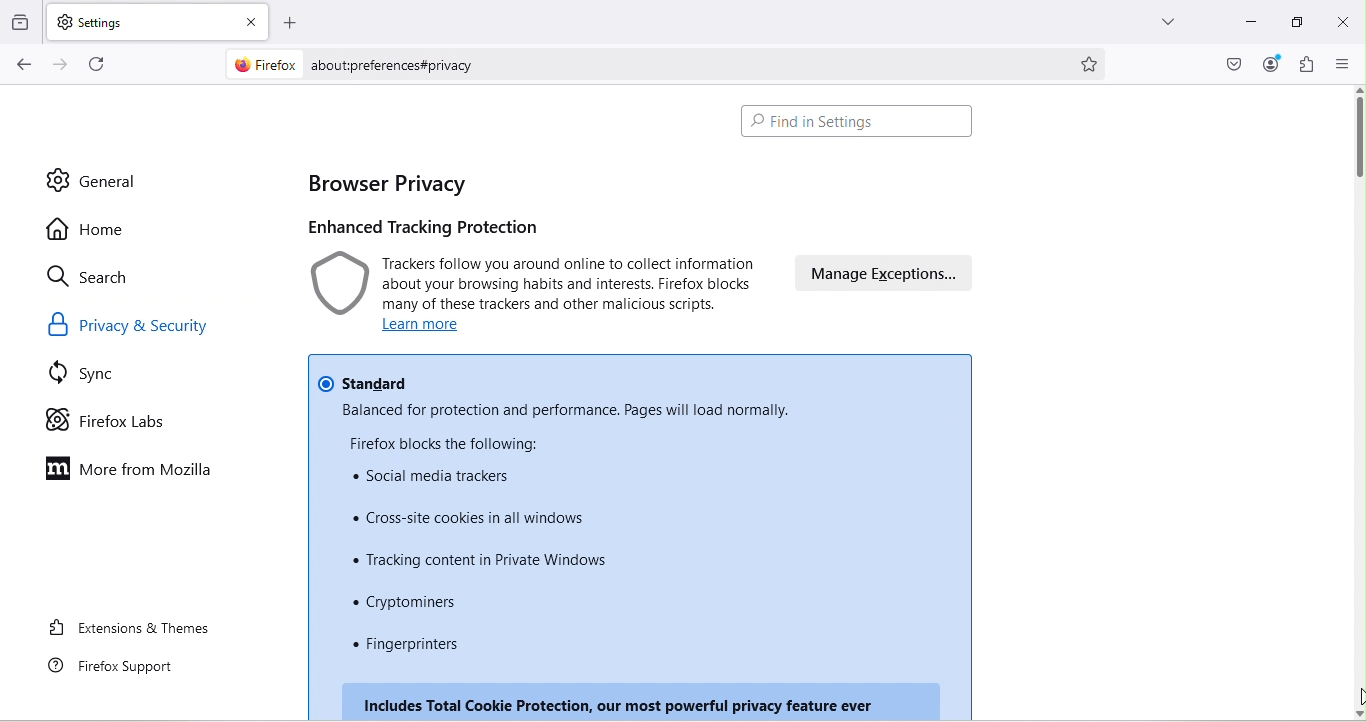  I want to click on Firefox, so click(261, 66).